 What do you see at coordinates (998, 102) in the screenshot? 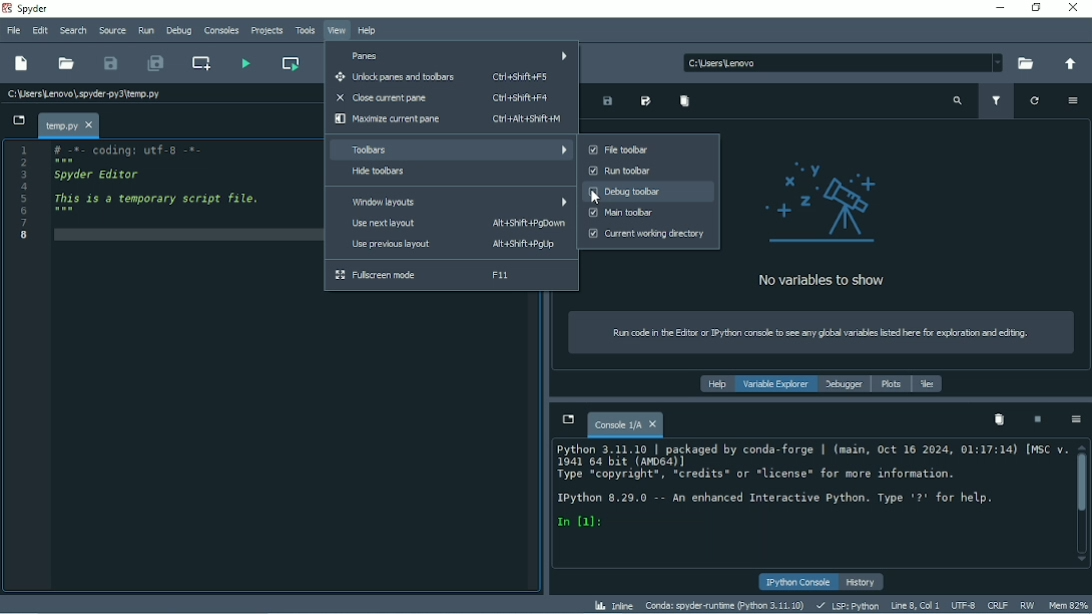
I see `Filter variables` at bounding box center [998, 102].